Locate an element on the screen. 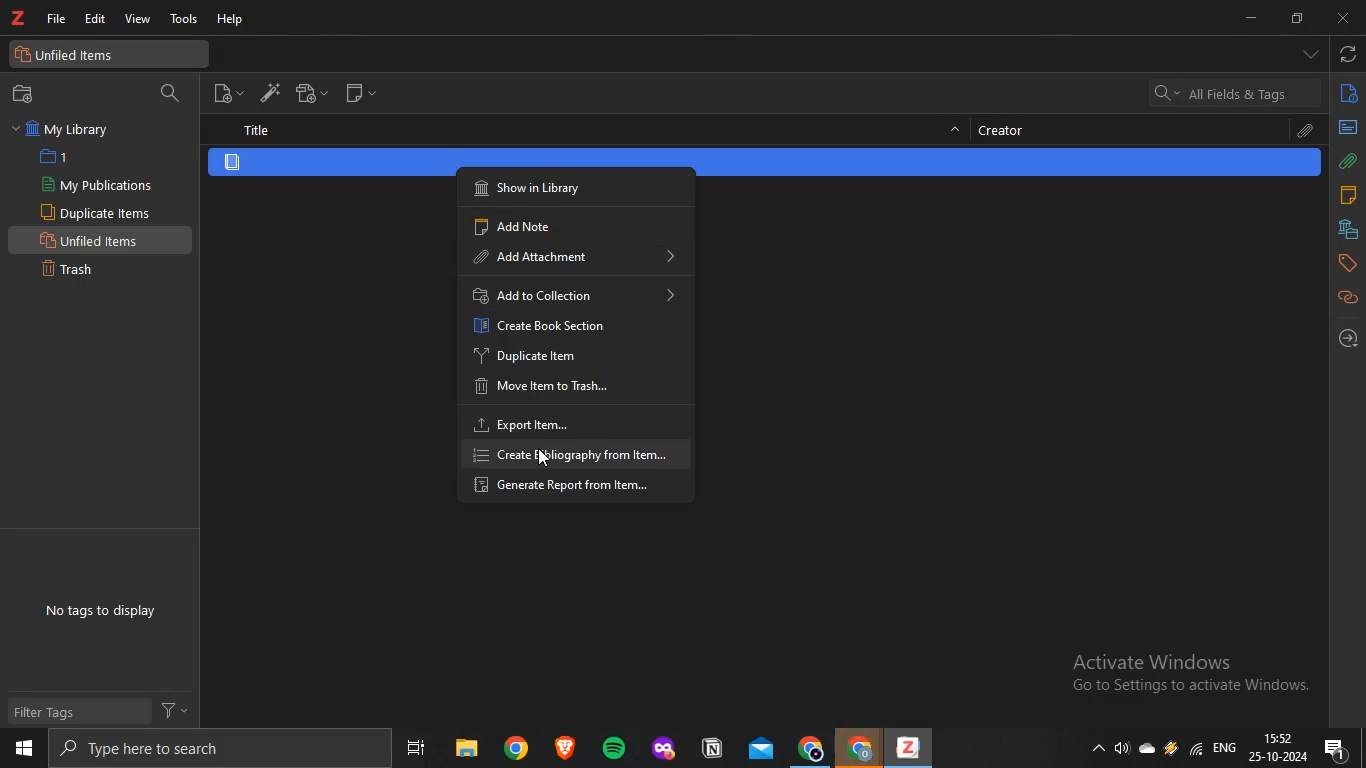 The image size is (1366, 768). notes is located at coordinates (1348, 195).